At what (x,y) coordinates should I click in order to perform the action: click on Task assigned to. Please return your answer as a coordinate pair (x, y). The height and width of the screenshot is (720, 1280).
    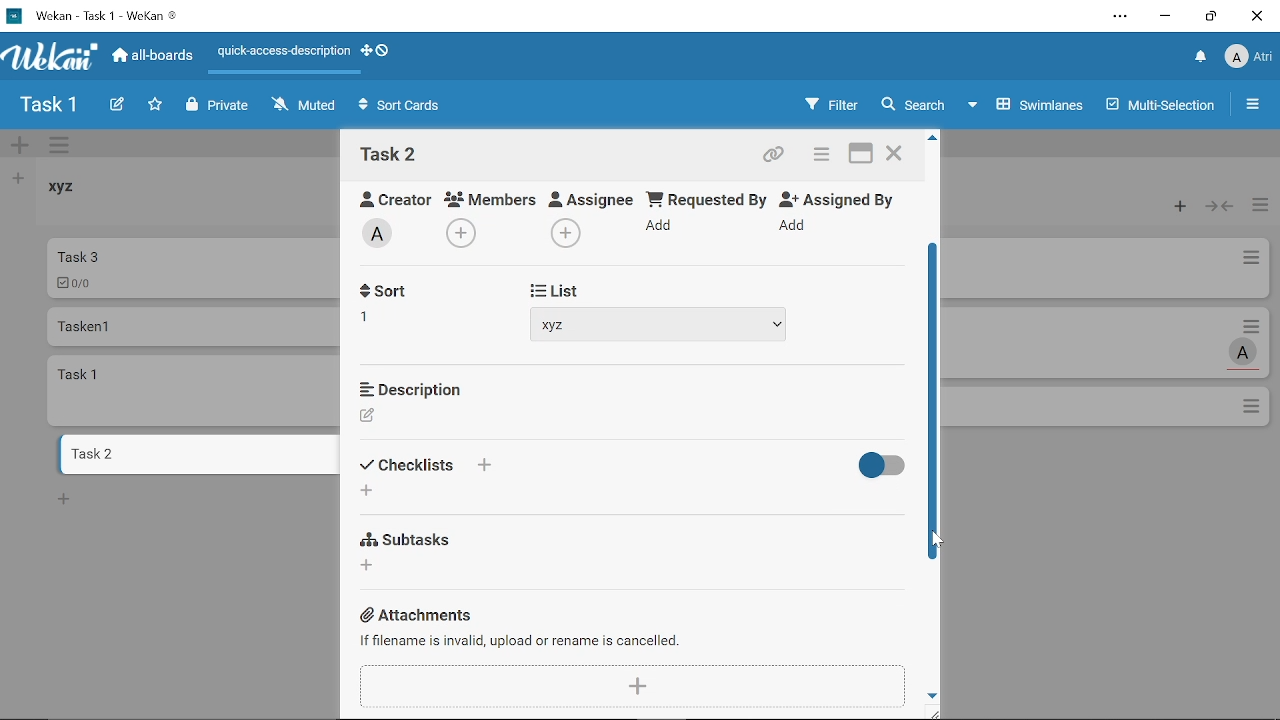
    Looking at the image, I should click on (1245, 352).